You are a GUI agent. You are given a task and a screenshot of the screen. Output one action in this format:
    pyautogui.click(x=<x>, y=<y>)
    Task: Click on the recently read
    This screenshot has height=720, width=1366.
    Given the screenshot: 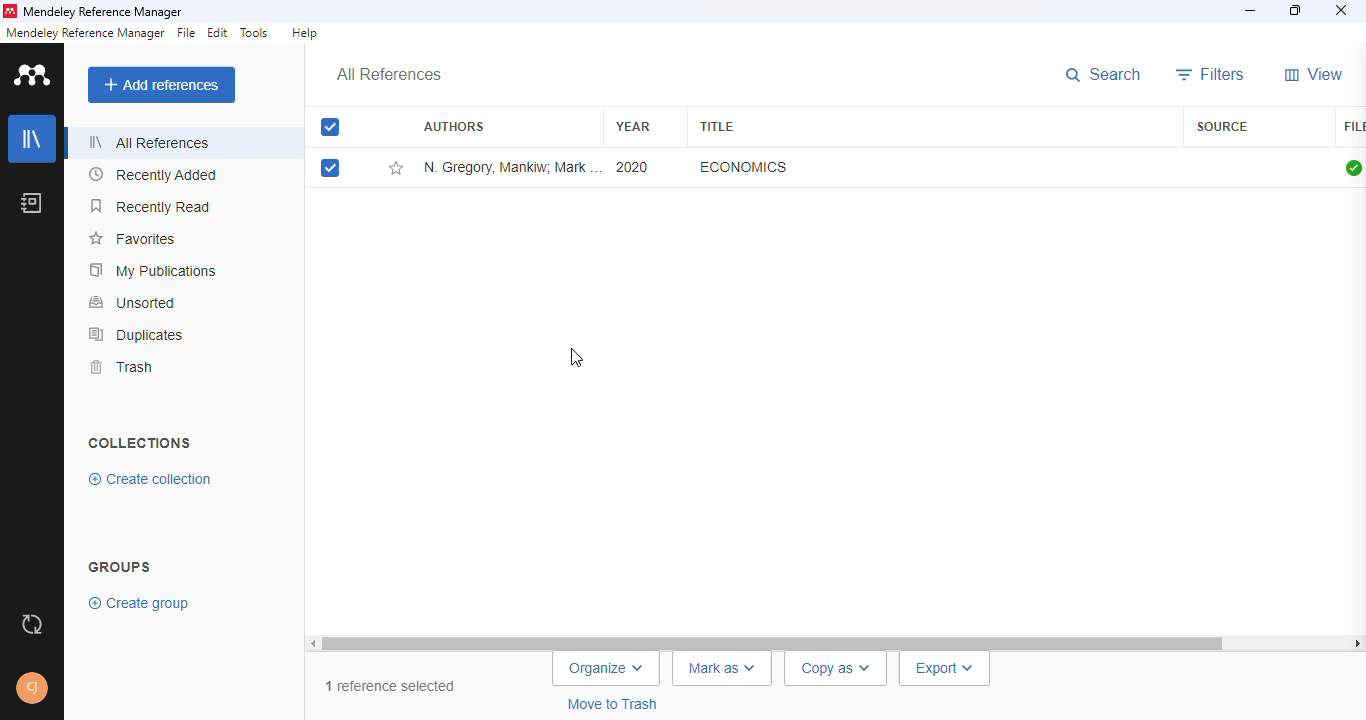 What is the action you would take?
    pyautogui.click(x=151, y=207)
    